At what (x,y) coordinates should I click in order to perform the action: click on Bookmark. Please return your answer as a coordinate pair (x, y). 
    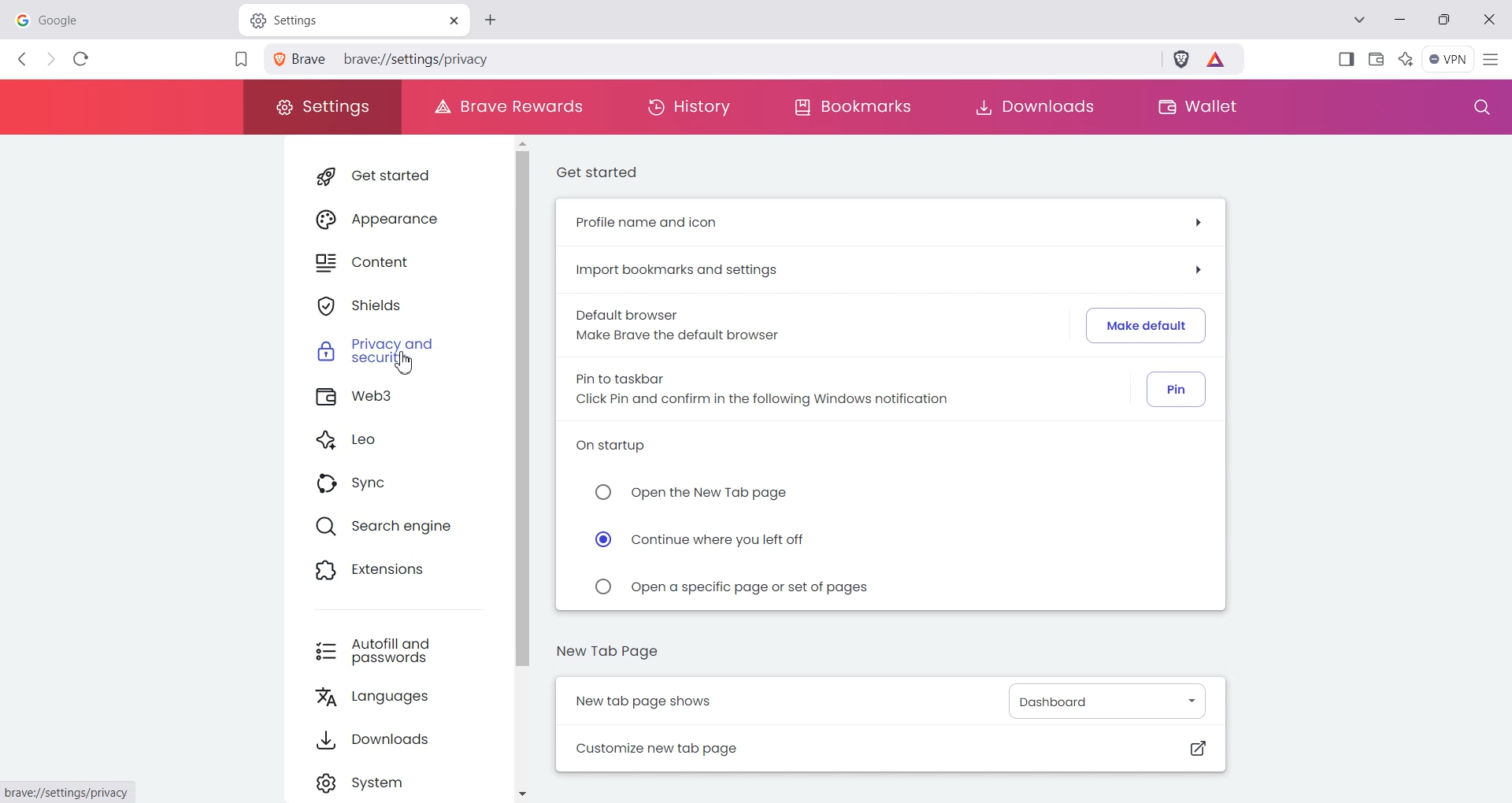
    Looking at the image, I should click on (240, 61).